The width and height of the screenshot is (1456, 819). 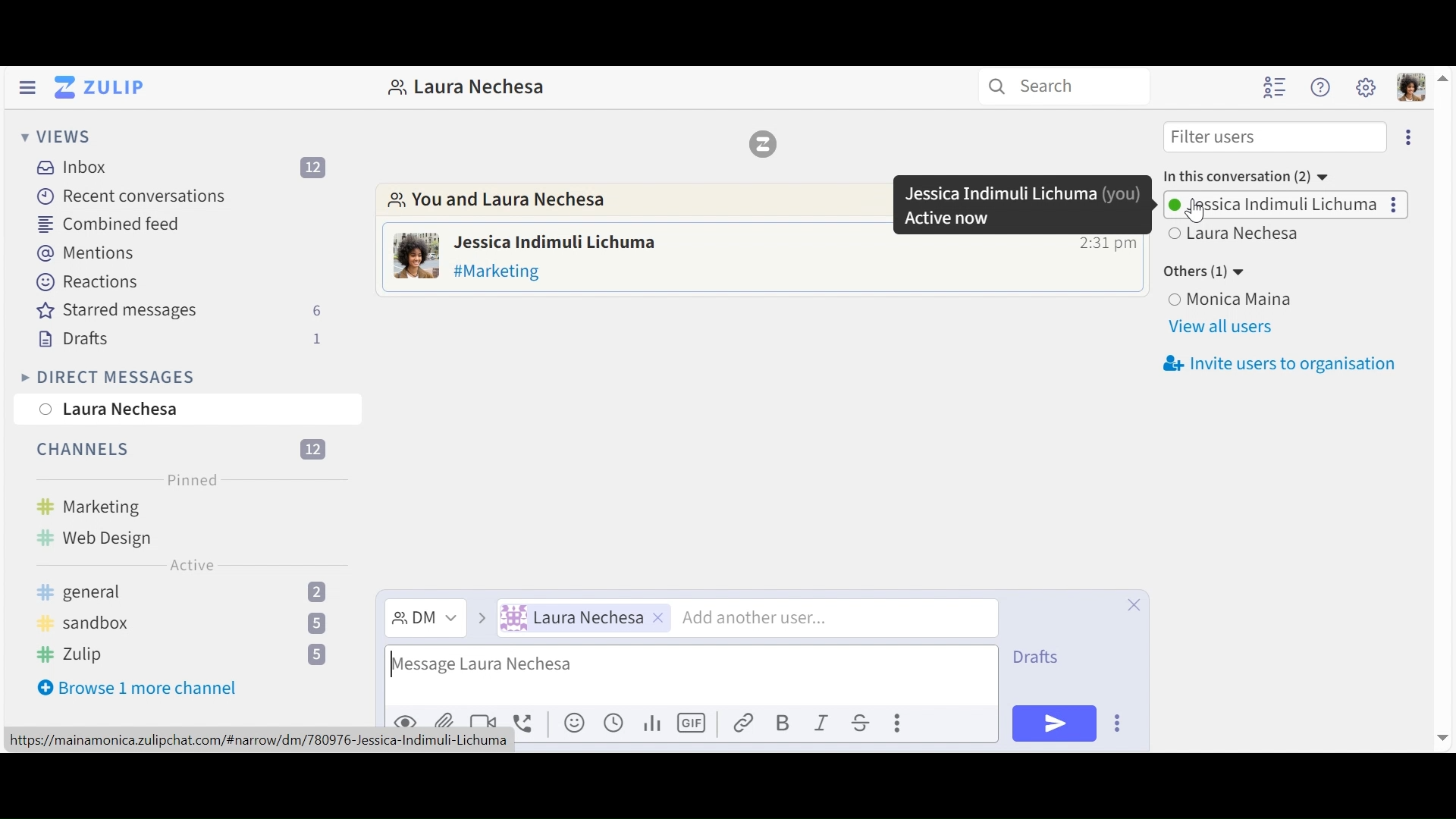 What do you see at coordinates (259, 742) in the screenshot?
I see `url` at bounding box center [259, 742].